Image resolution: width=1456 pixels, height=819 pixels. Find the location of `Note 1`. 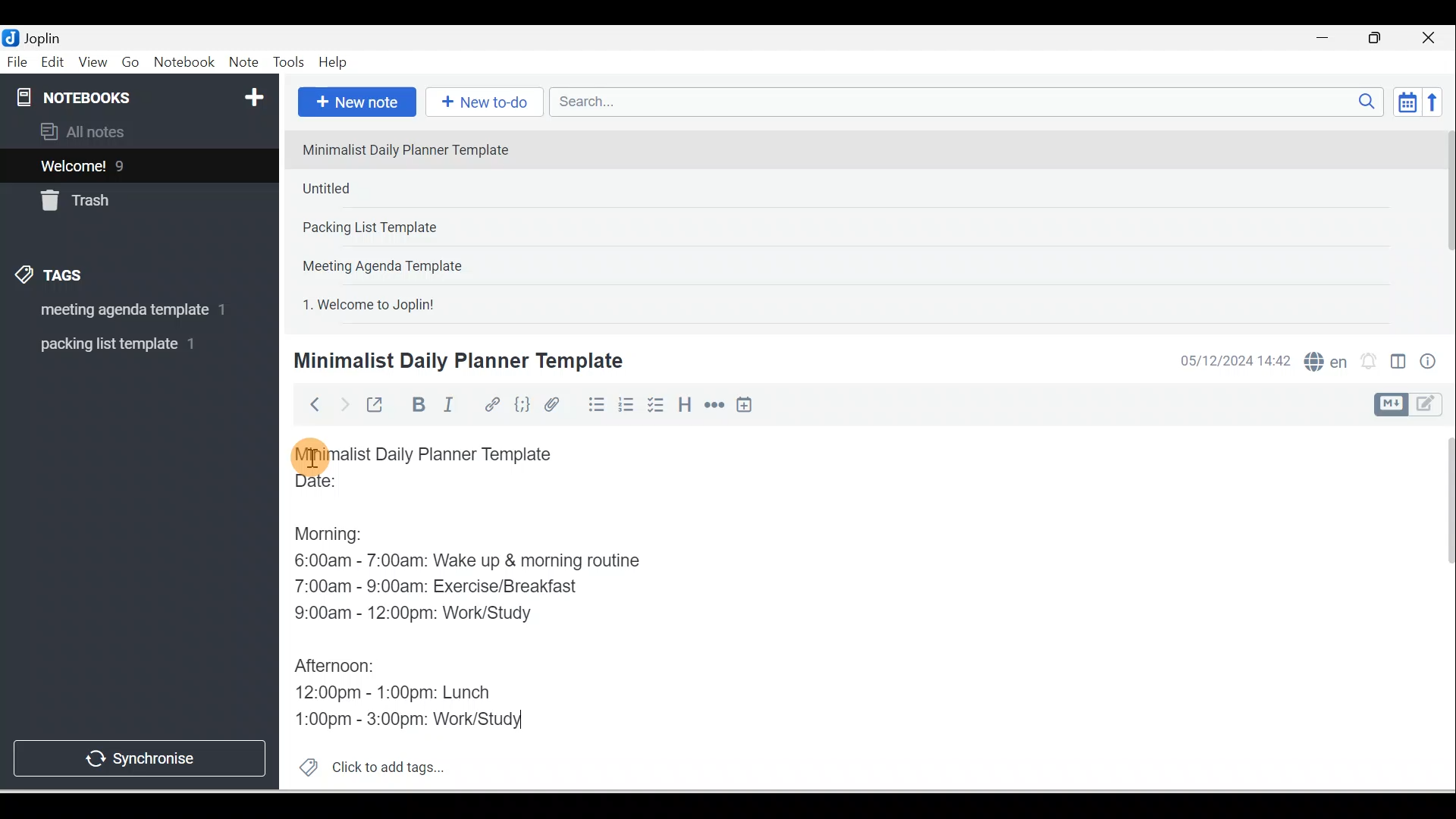

Note 1 is located at coordinates (416, 149).